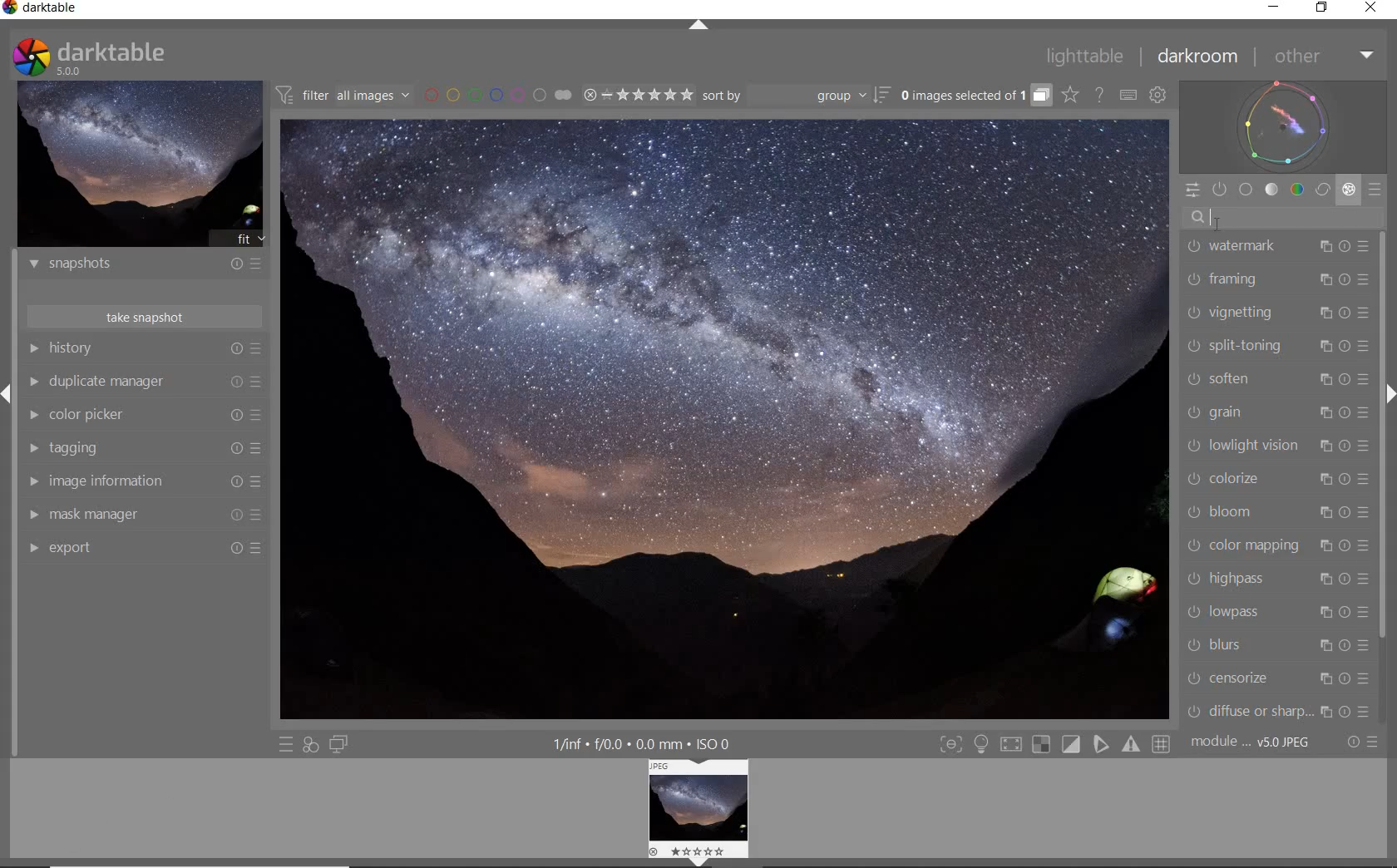 The width and height of the screenshot is (1397, 868). What do you see at coordinates (1346, 244) in the screenshot?
I see `reset parameters` at bounding box center [1346, 244].